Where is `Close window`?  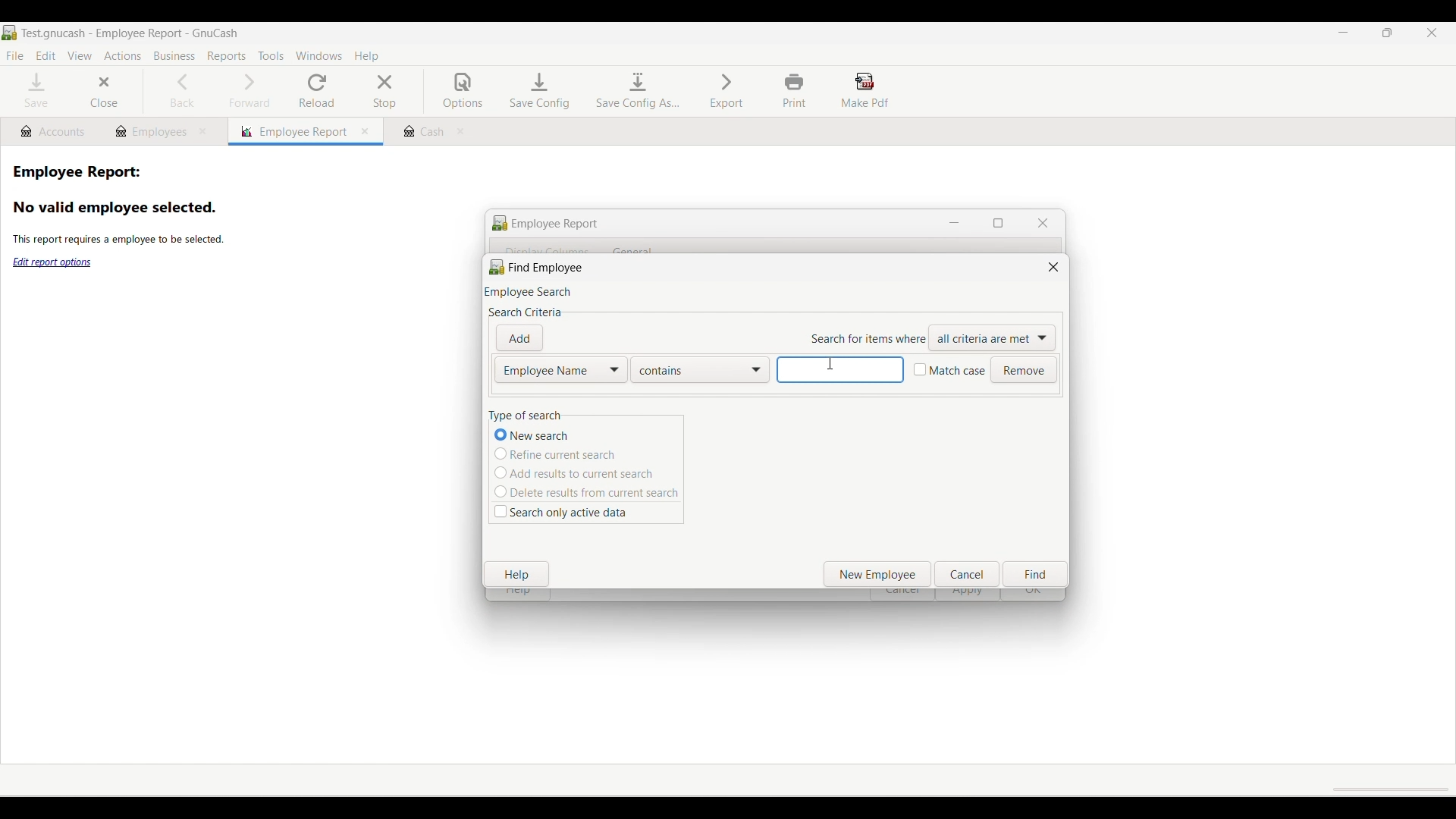 Close window is located at coordinates (1053, 267).